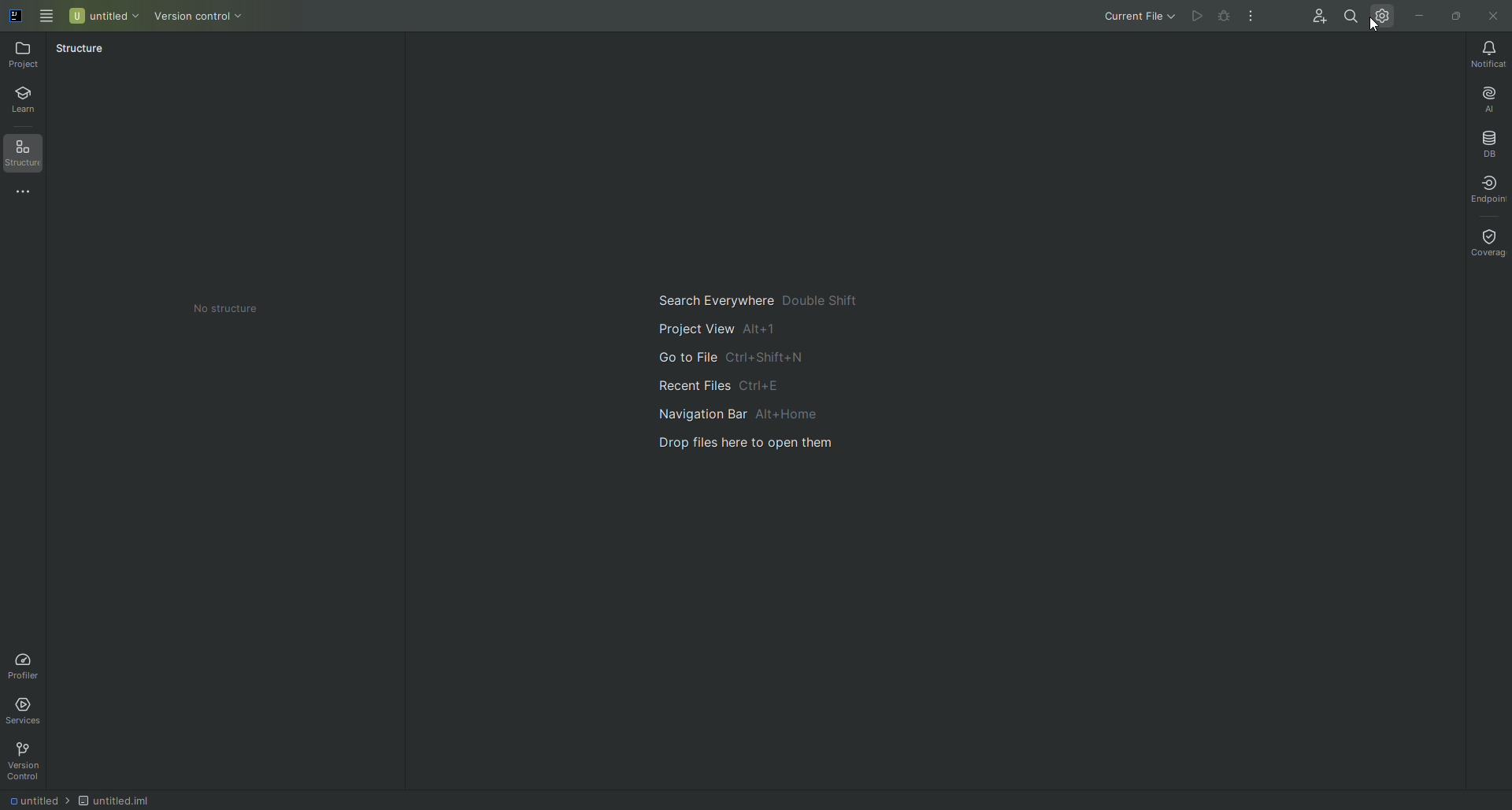  I want to click on logo, so click(16, 17).